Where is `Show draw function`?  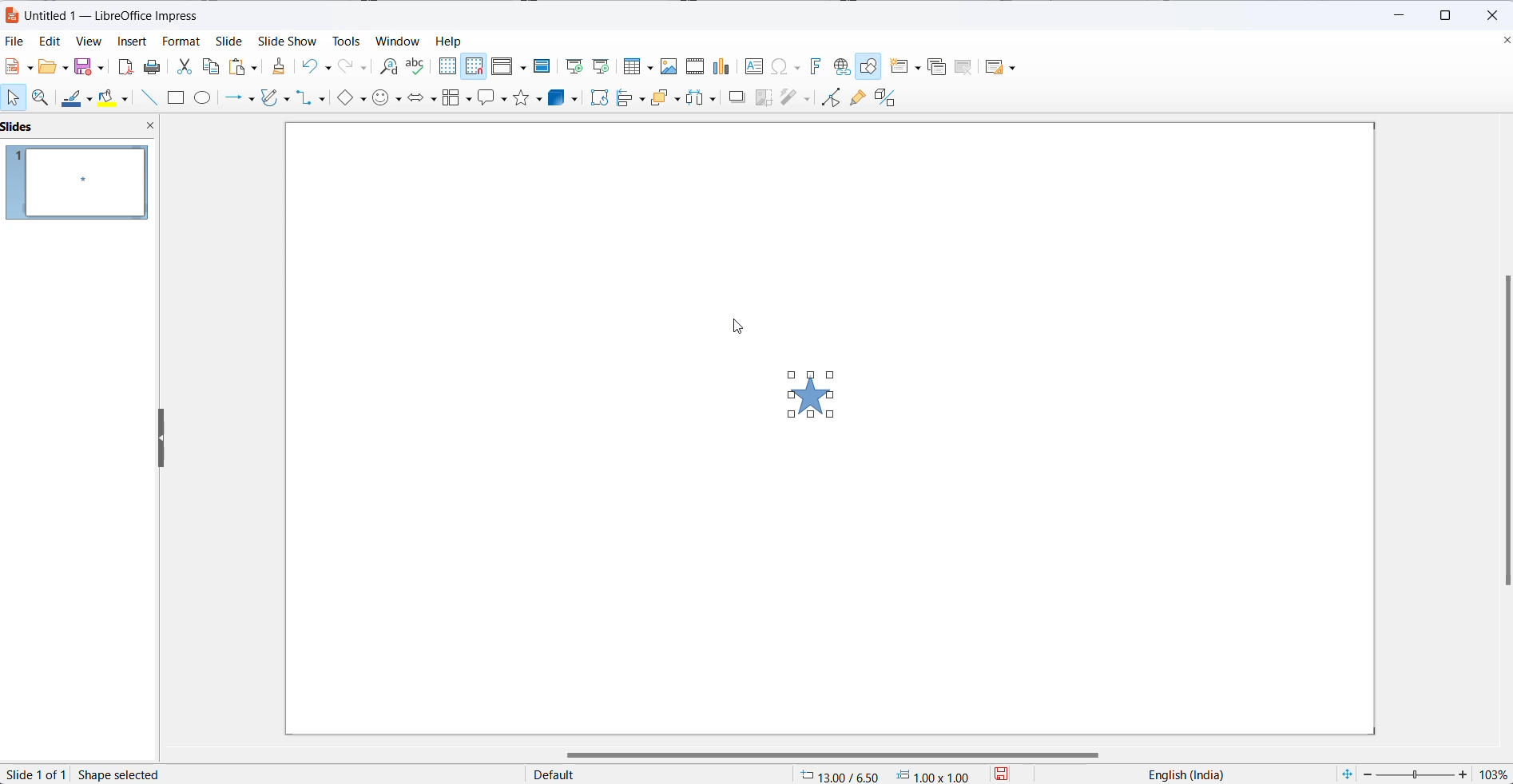
Show draw function is located at coordinates (870, 66).